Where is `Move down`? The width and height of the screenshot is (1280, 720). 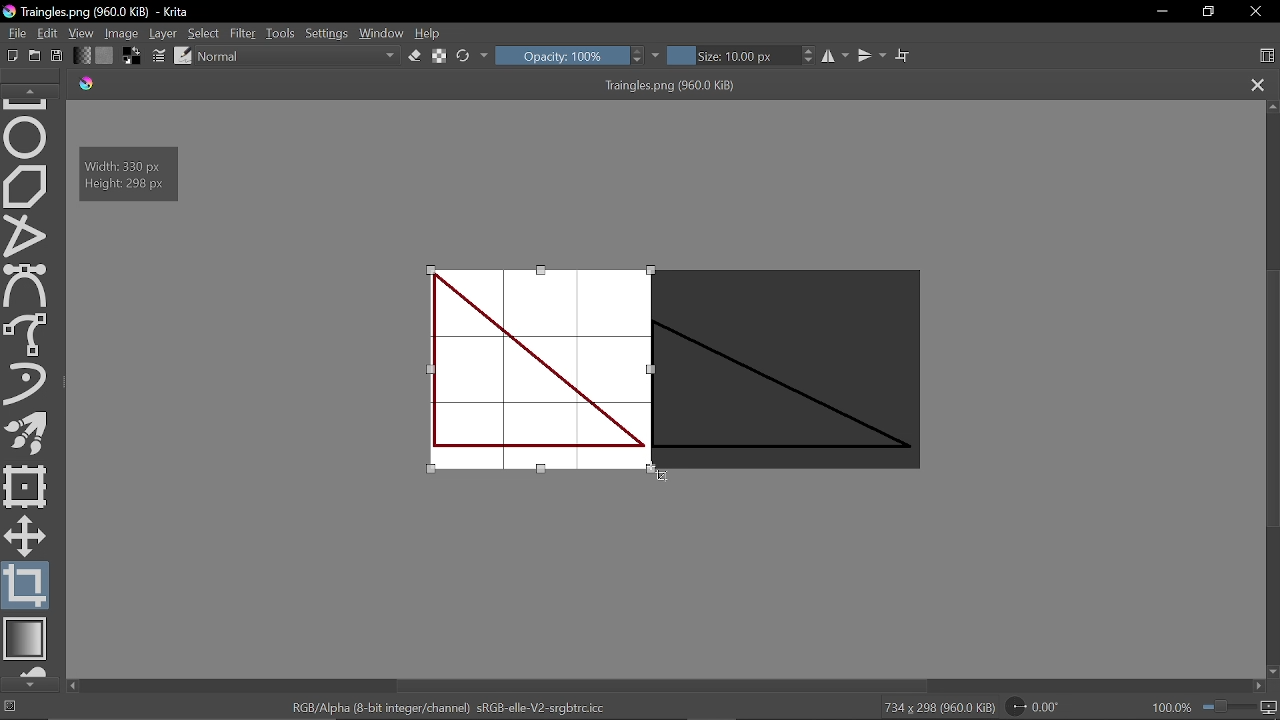 Move down is located at coordinates (1272, 672).